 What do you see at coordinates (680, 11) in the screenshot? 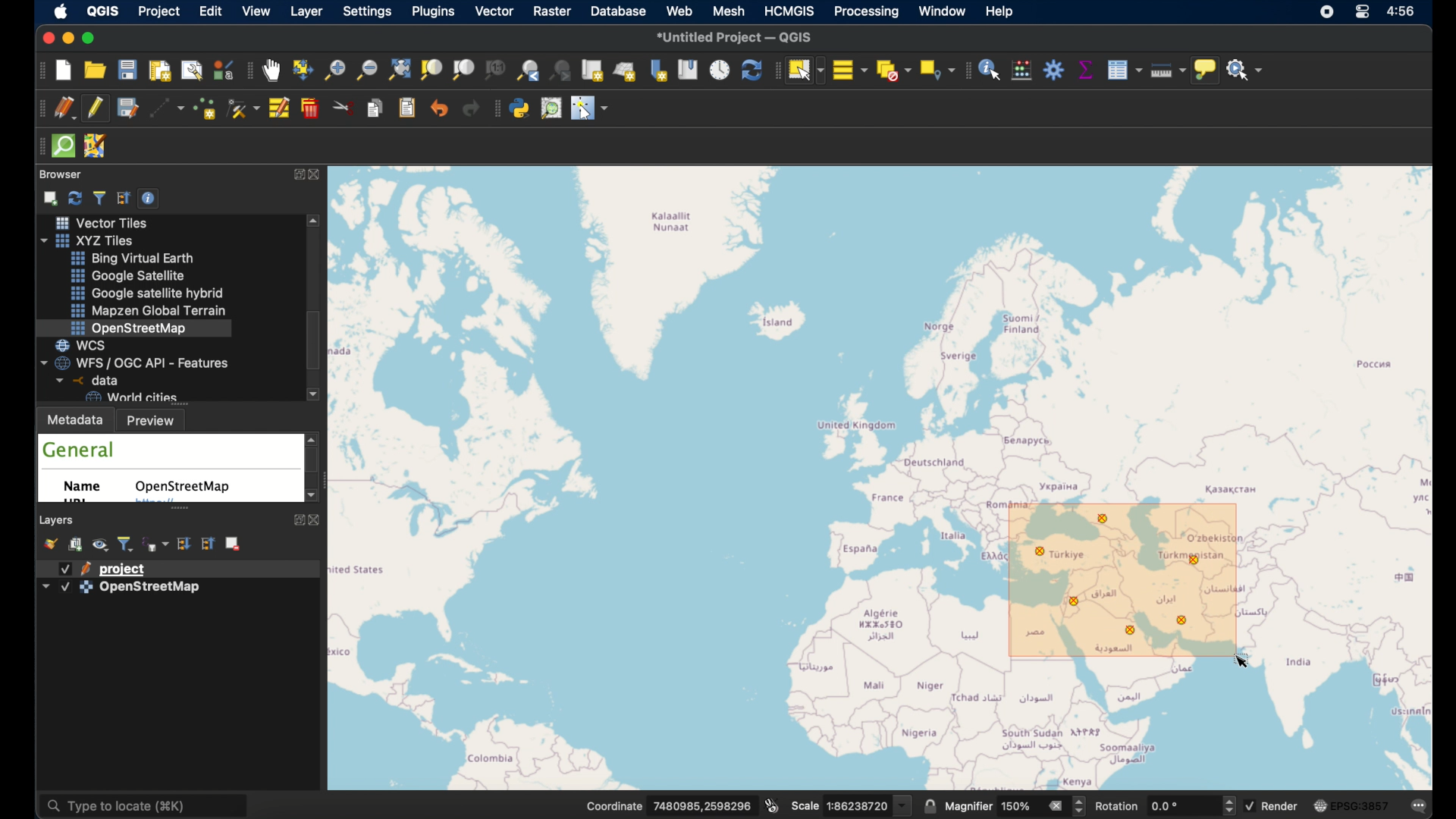
I see `web` at bounding box center [680, 11].